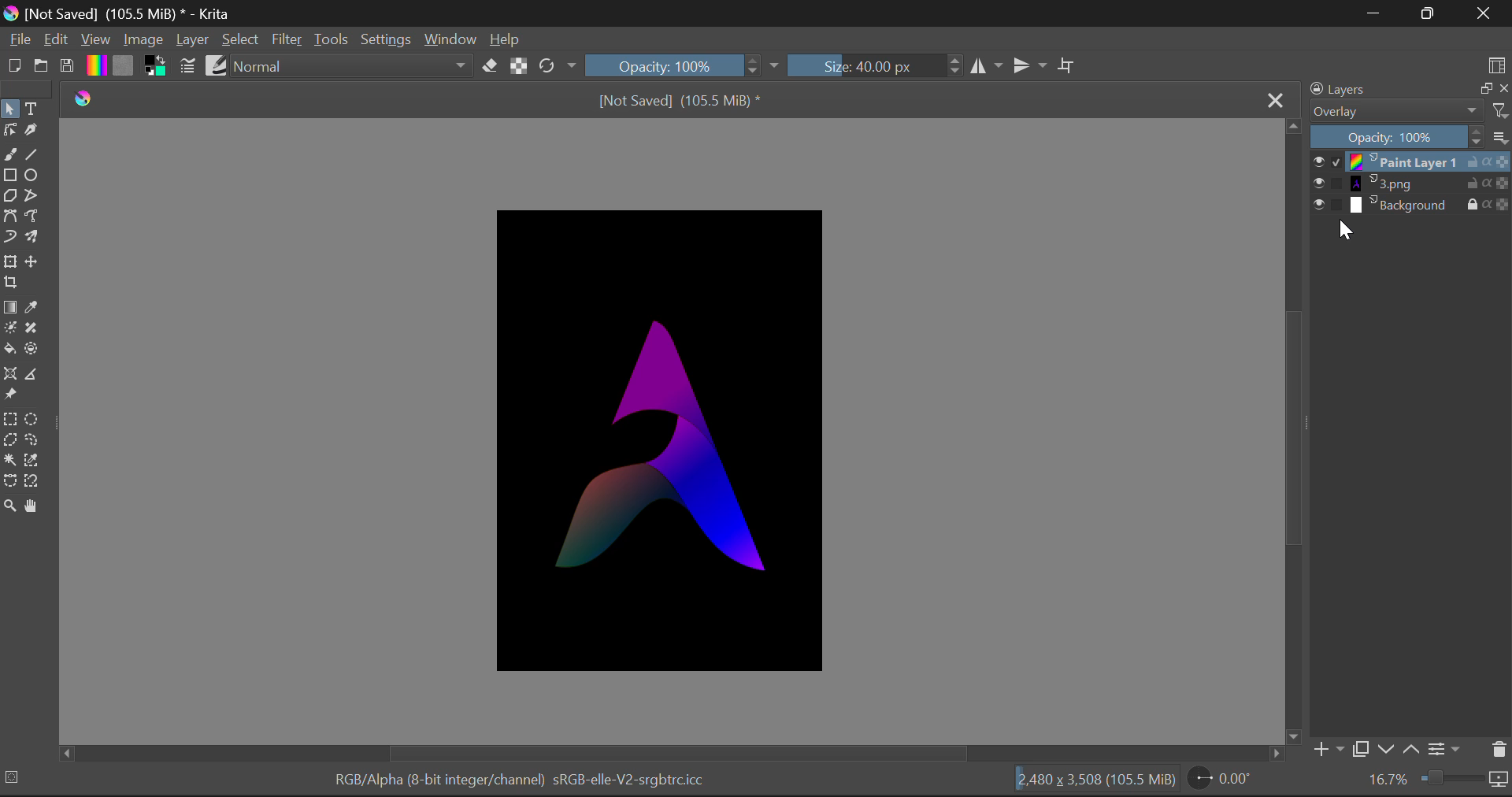  I want to click on show or hide layer, so click(1327, 163).